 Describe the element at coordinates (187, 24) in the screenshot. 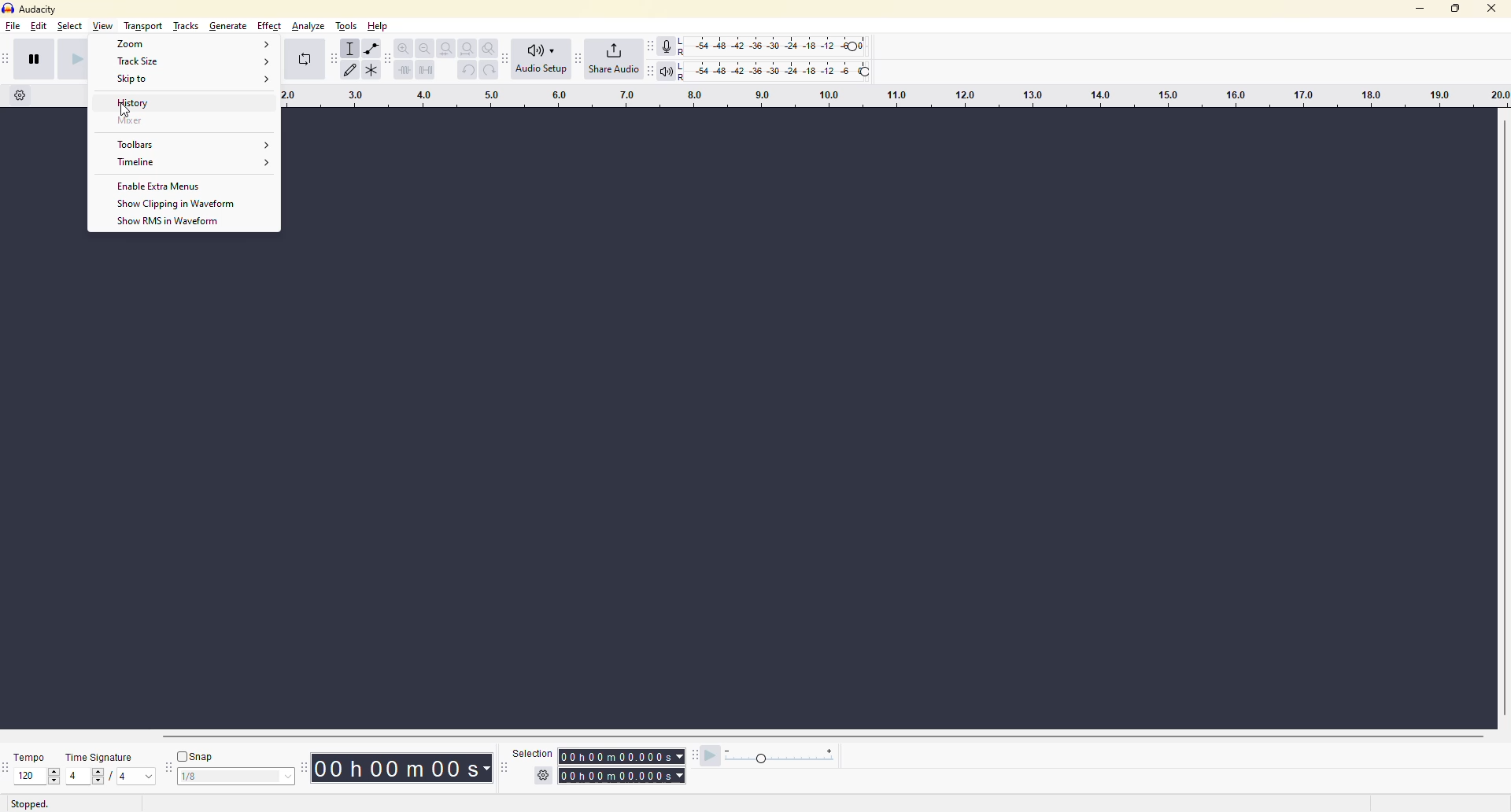

I see `tracks` at that location.